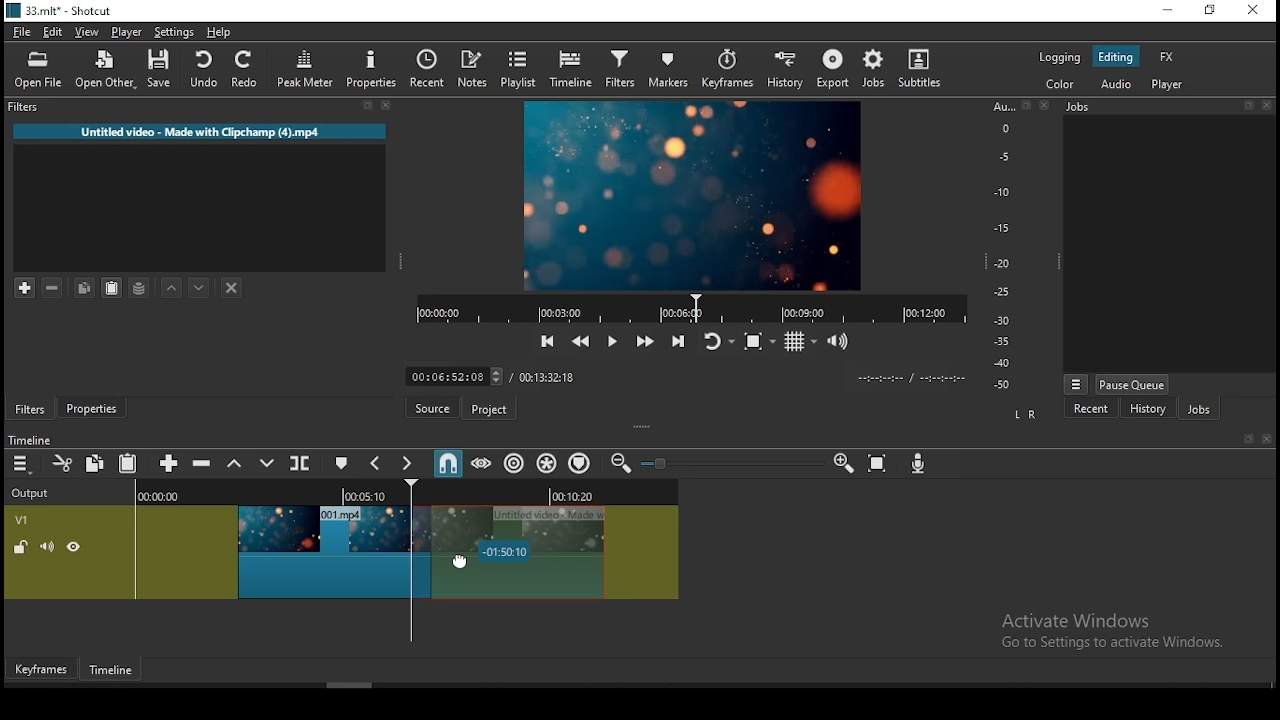  Describe the element at coordinates (1257, 11) in the screenshot. I see `close` at that location.